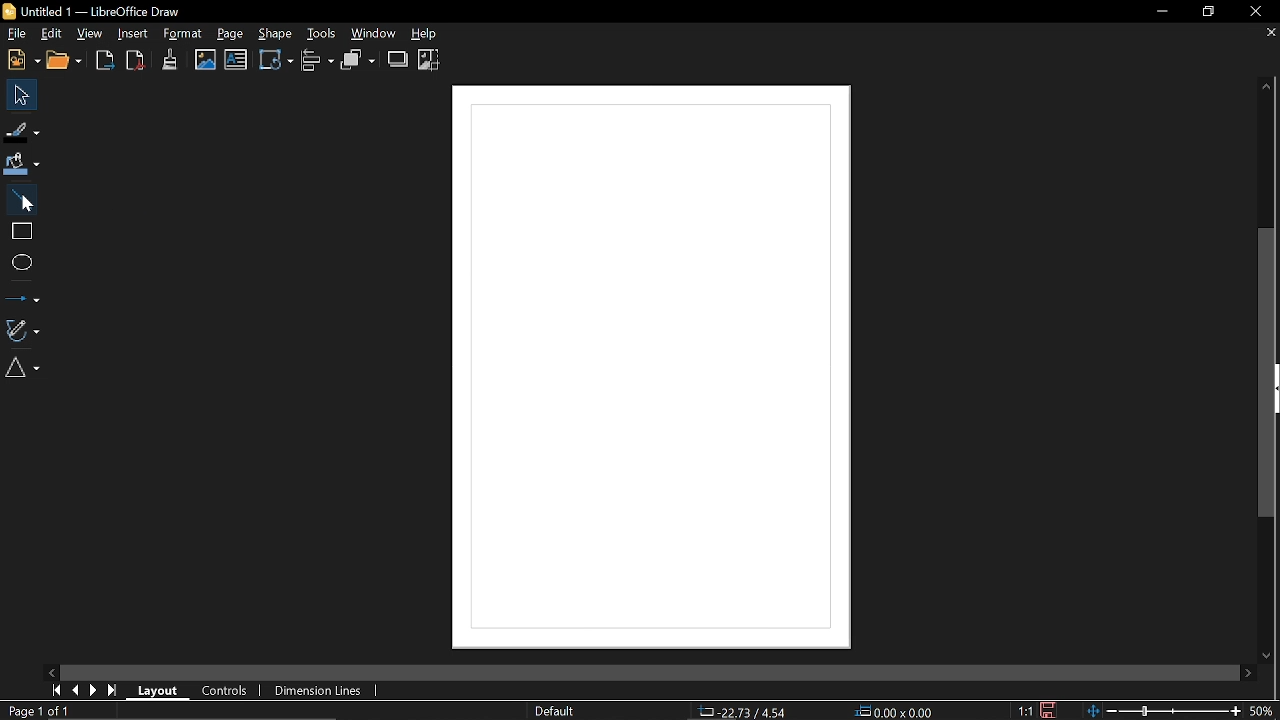  I want to click on ELlipse, so click(21, 262).